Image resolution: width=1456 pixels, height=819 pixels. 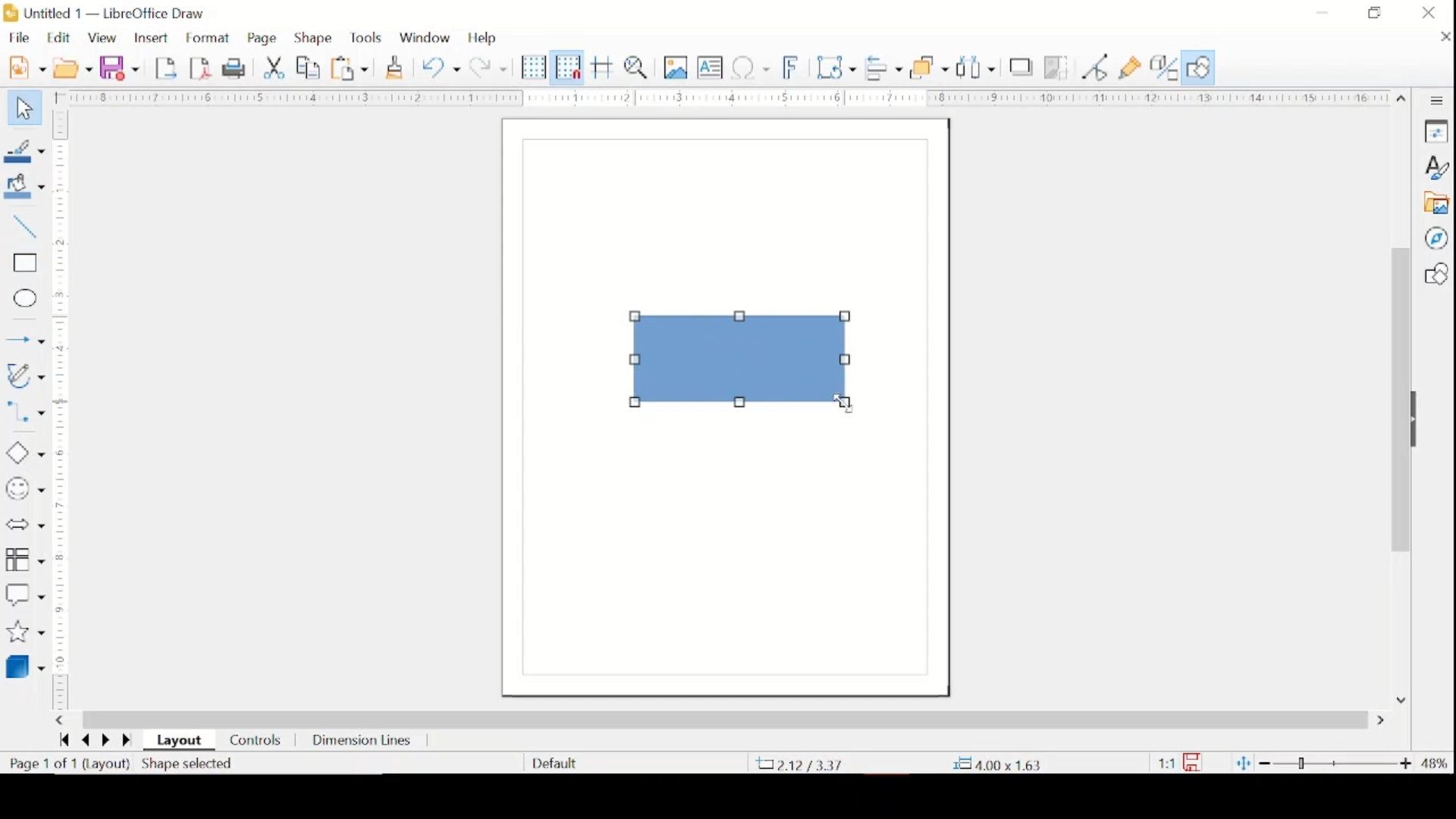 I want to click on gallery, so click(x=1436, y=203).